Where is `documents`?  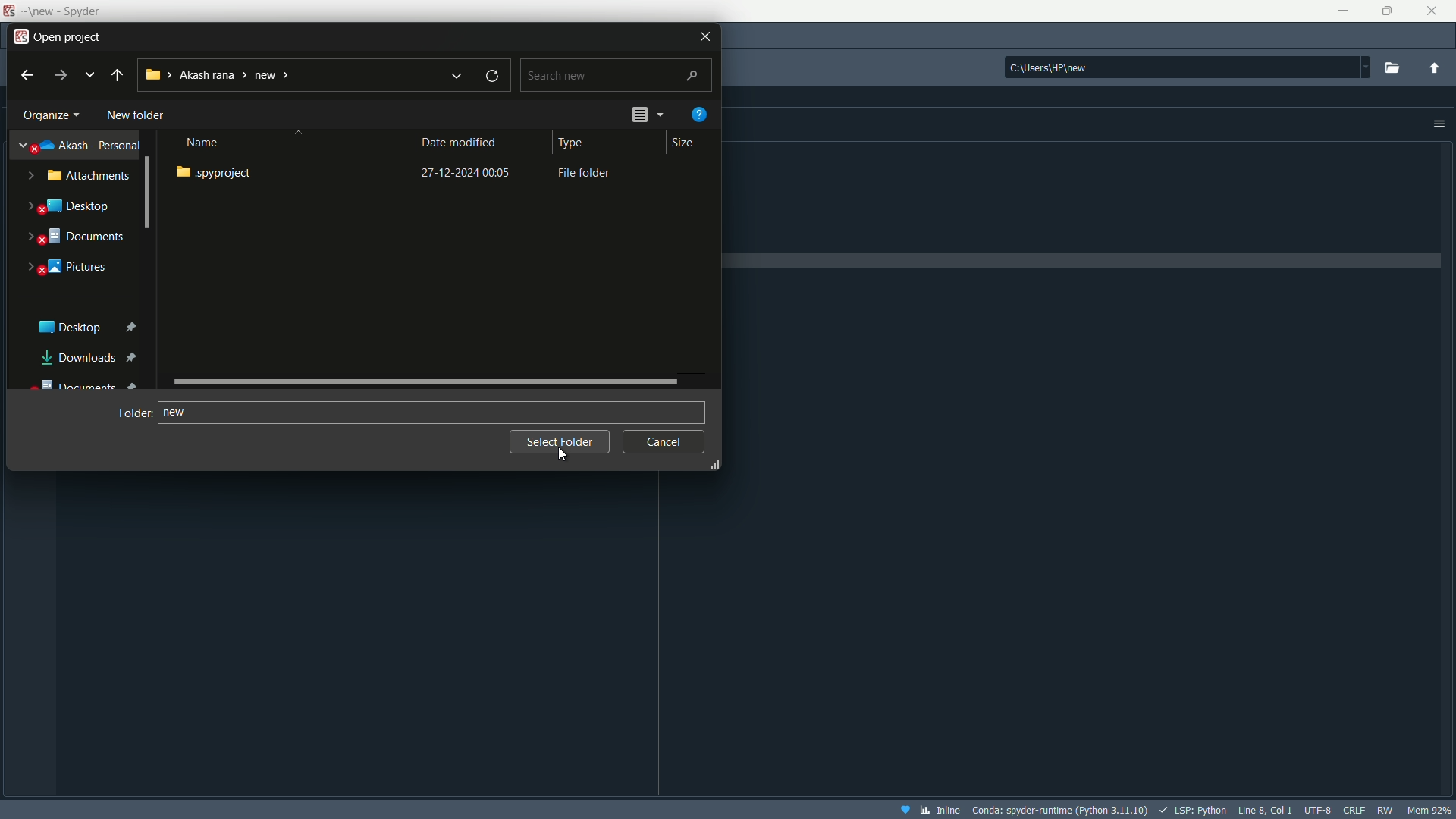
documents is located at coordinates (77, 239).